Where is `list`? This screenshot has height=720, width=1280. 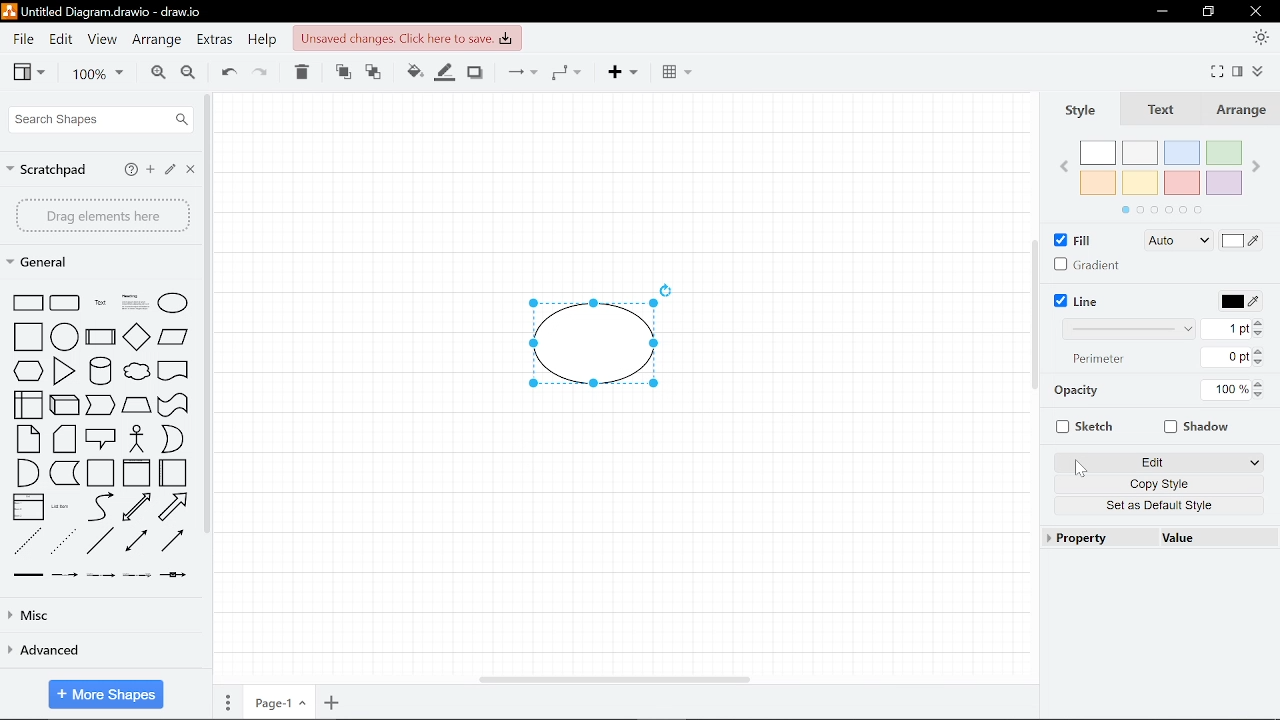 list is located at coordinates (28, 507).